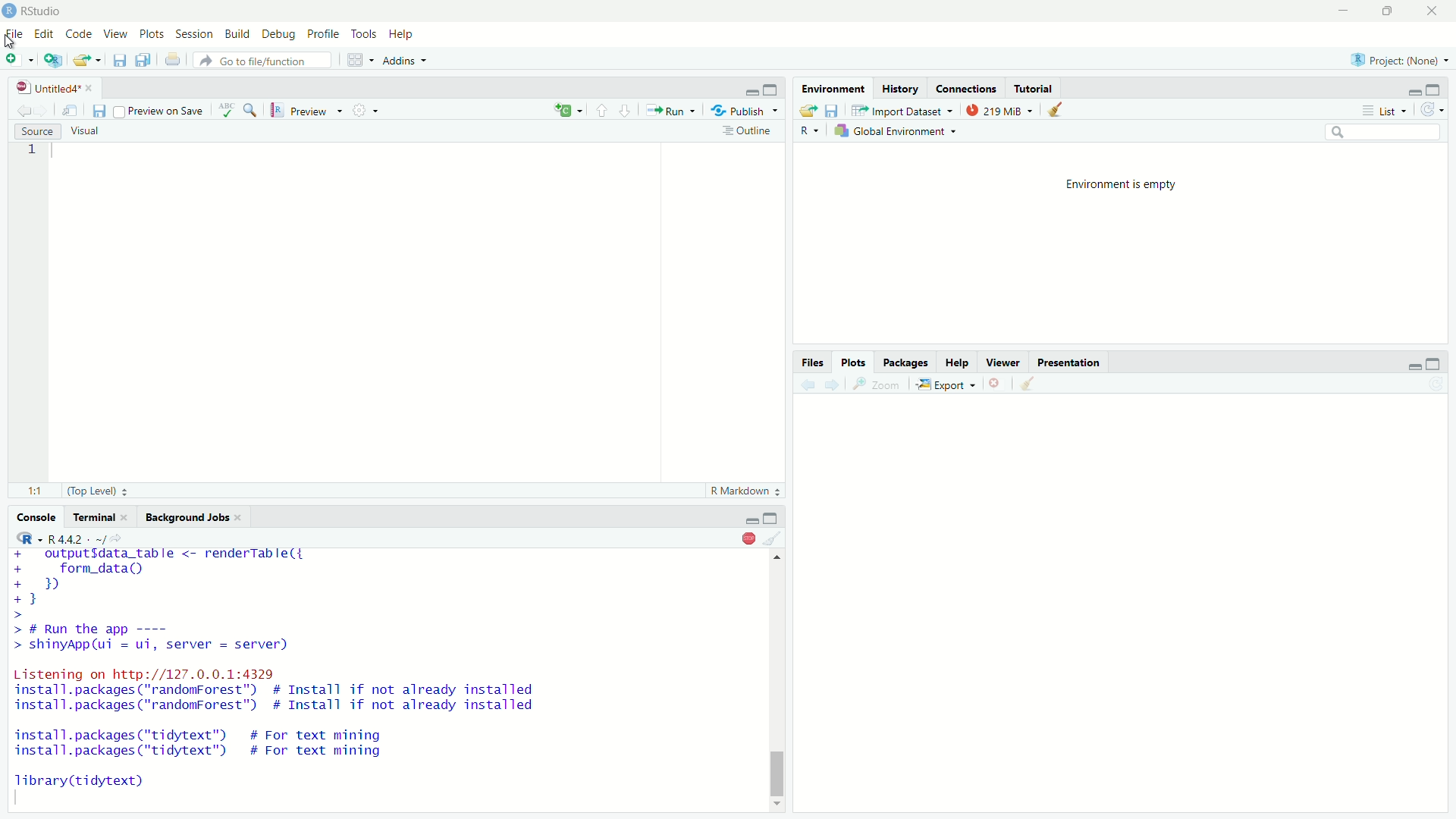 This screenshot has height=819, width=1456. I want to click on Export as, so click(948, 386).